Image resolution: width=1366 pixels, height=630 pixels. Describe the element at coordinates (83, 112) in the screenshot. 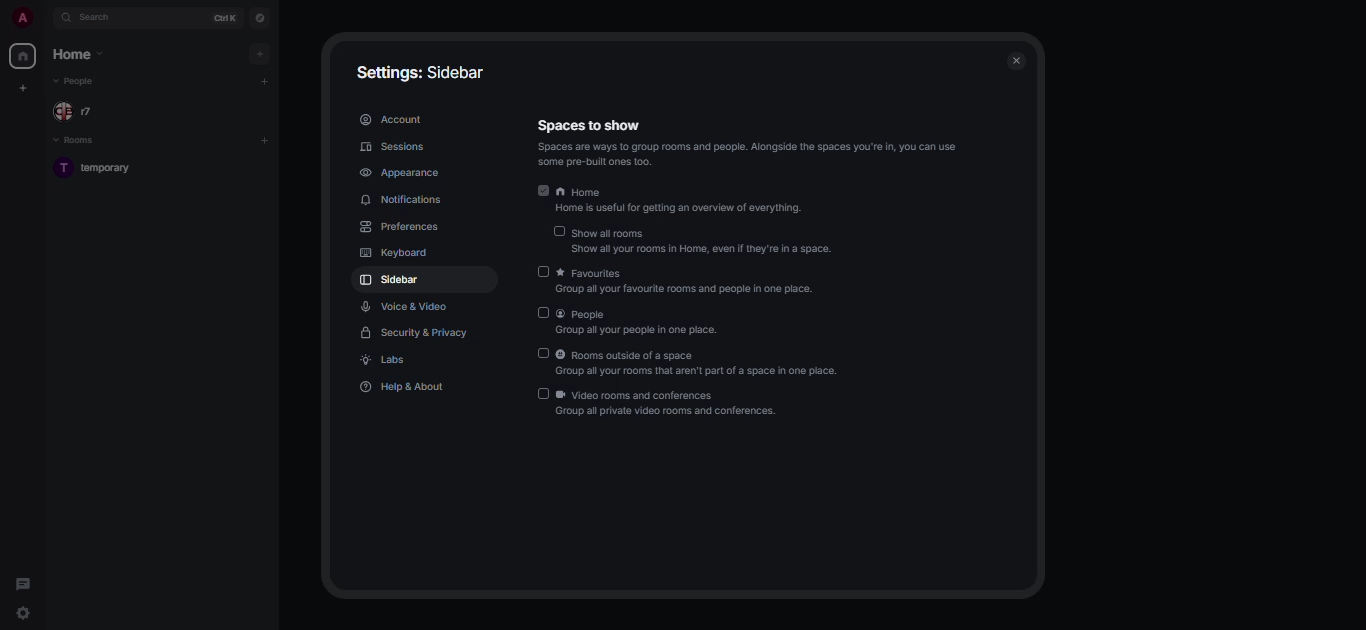

I see `people` at that location.